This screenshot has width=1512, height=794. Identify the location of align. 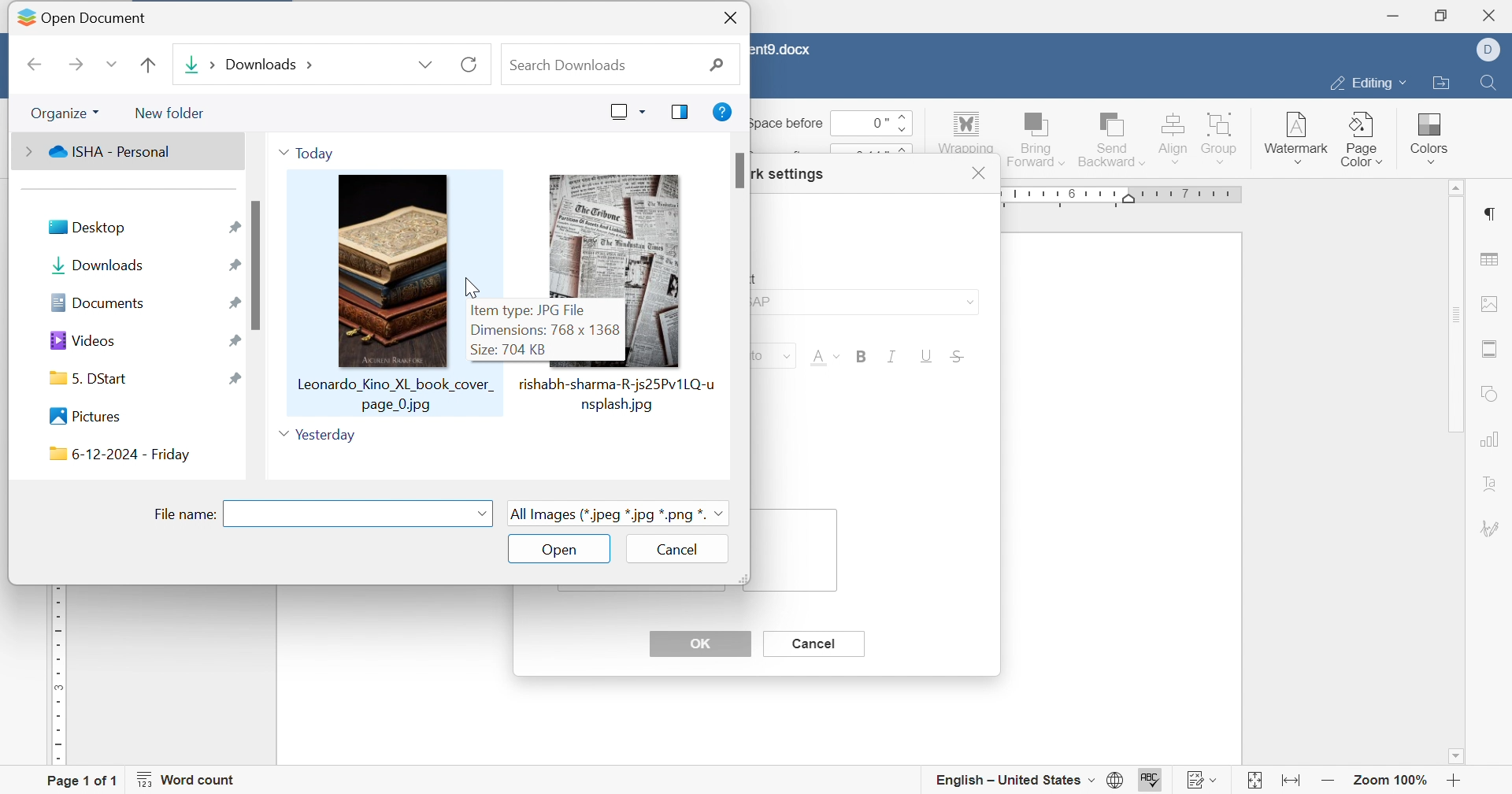
(1172, 136).